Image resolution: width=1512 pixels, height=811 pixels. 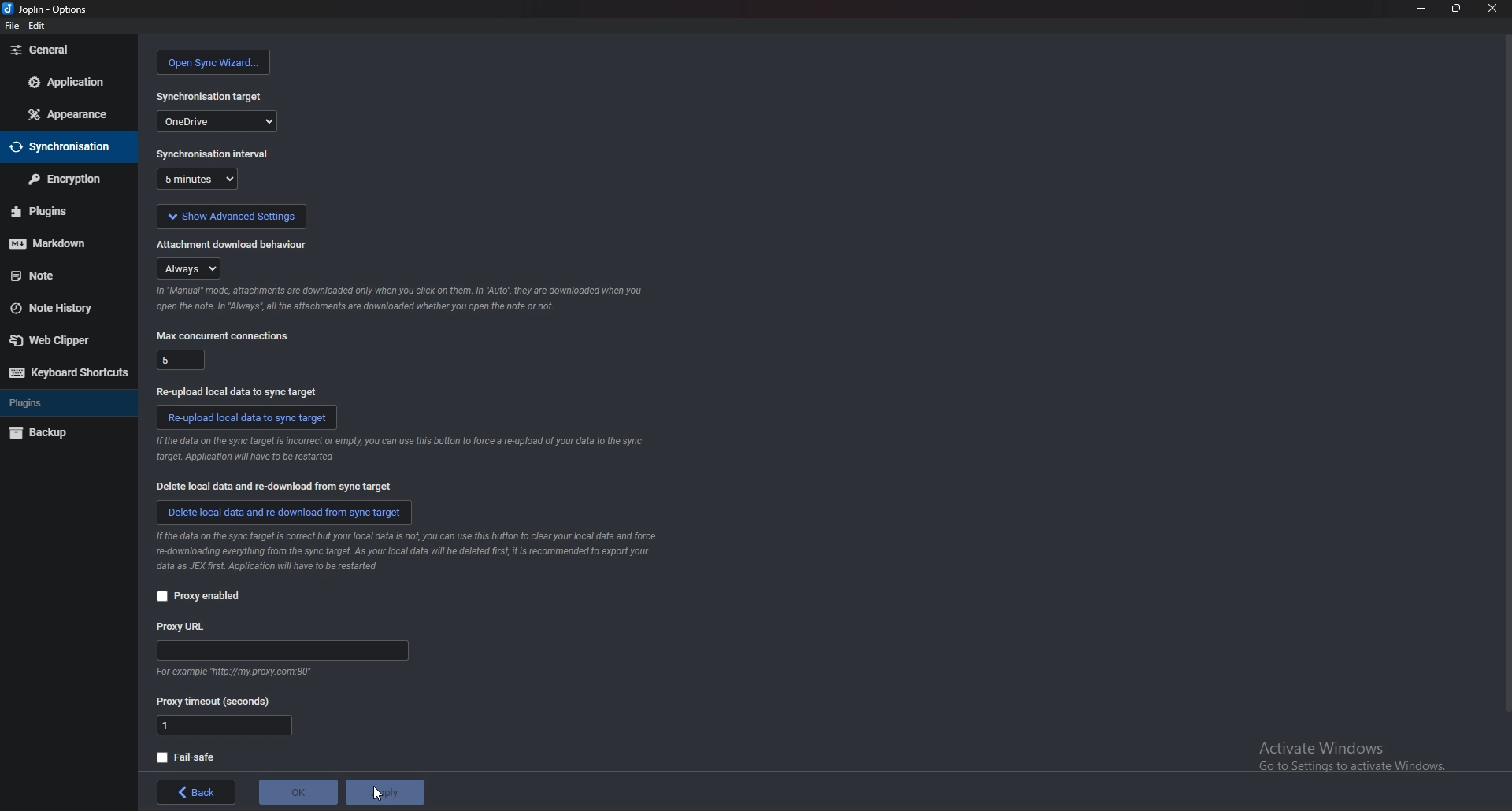 I want to click on back, so click(x=198, y=793).